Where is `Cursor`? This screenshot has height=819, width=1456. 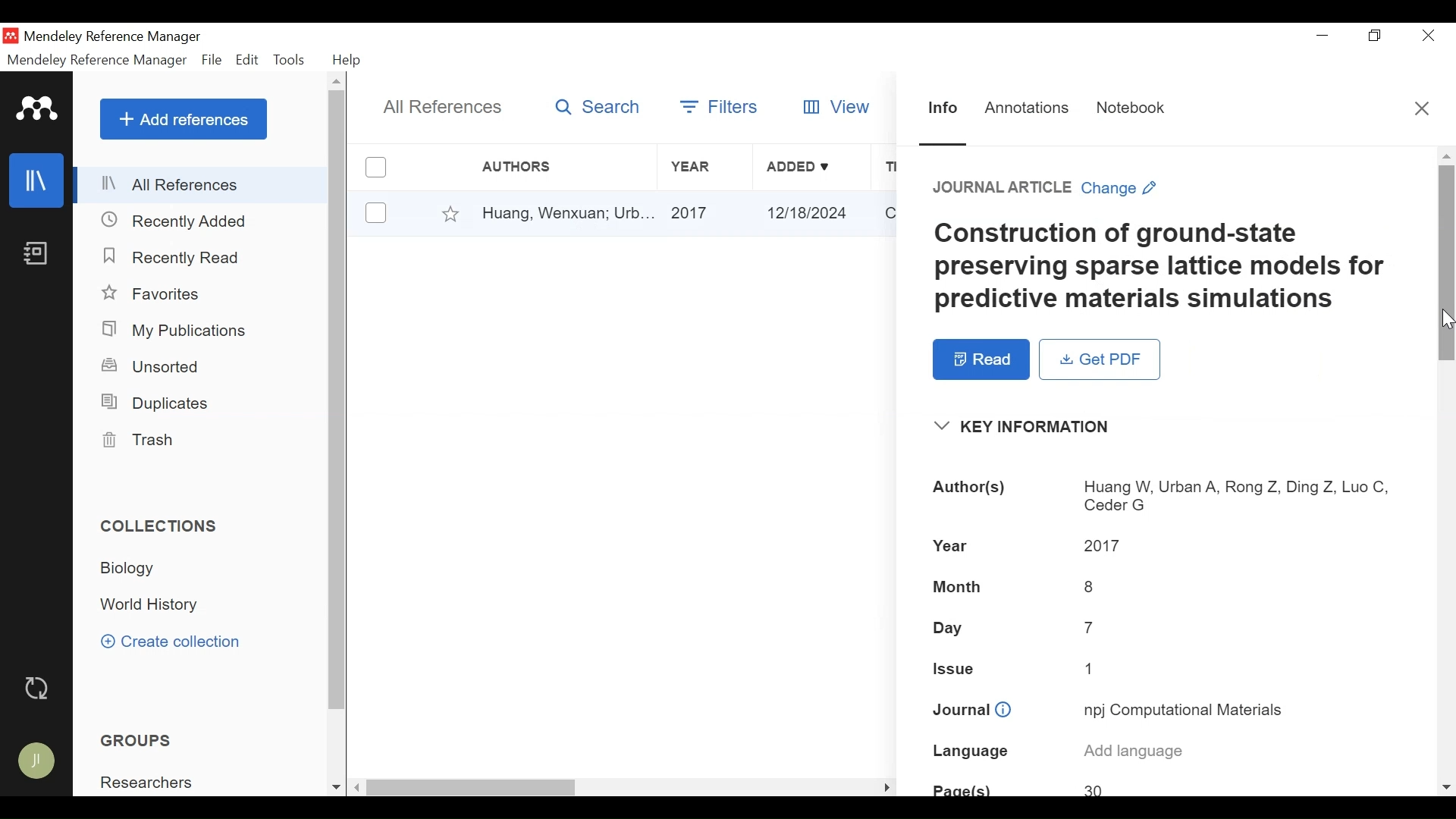
Cursor is located at coordinates (585, 226).